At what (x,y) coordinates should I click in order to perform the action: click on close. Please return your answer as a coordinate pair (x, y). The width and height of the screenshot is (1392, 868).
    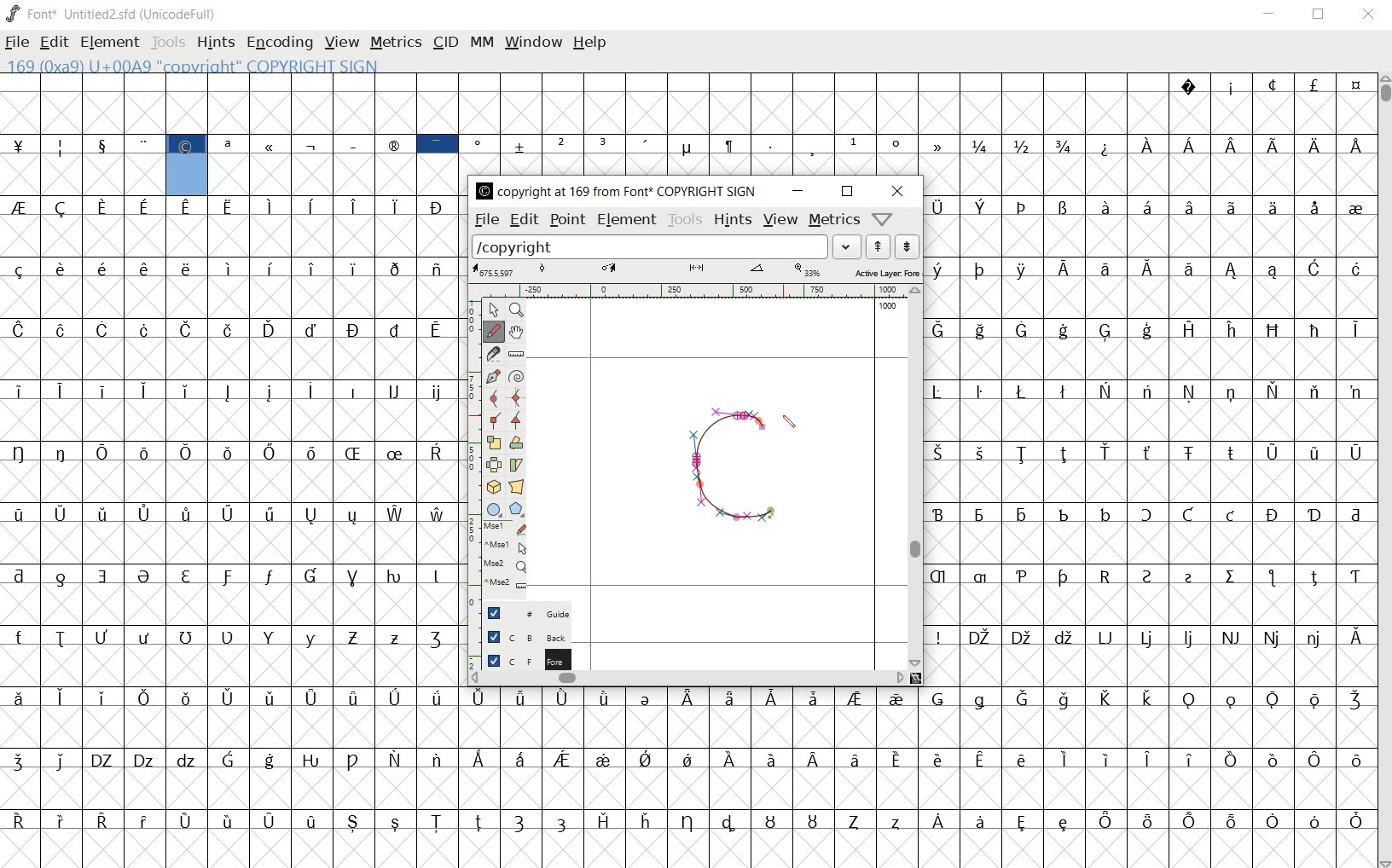
    Looking at the image, I should click on (902, 190).